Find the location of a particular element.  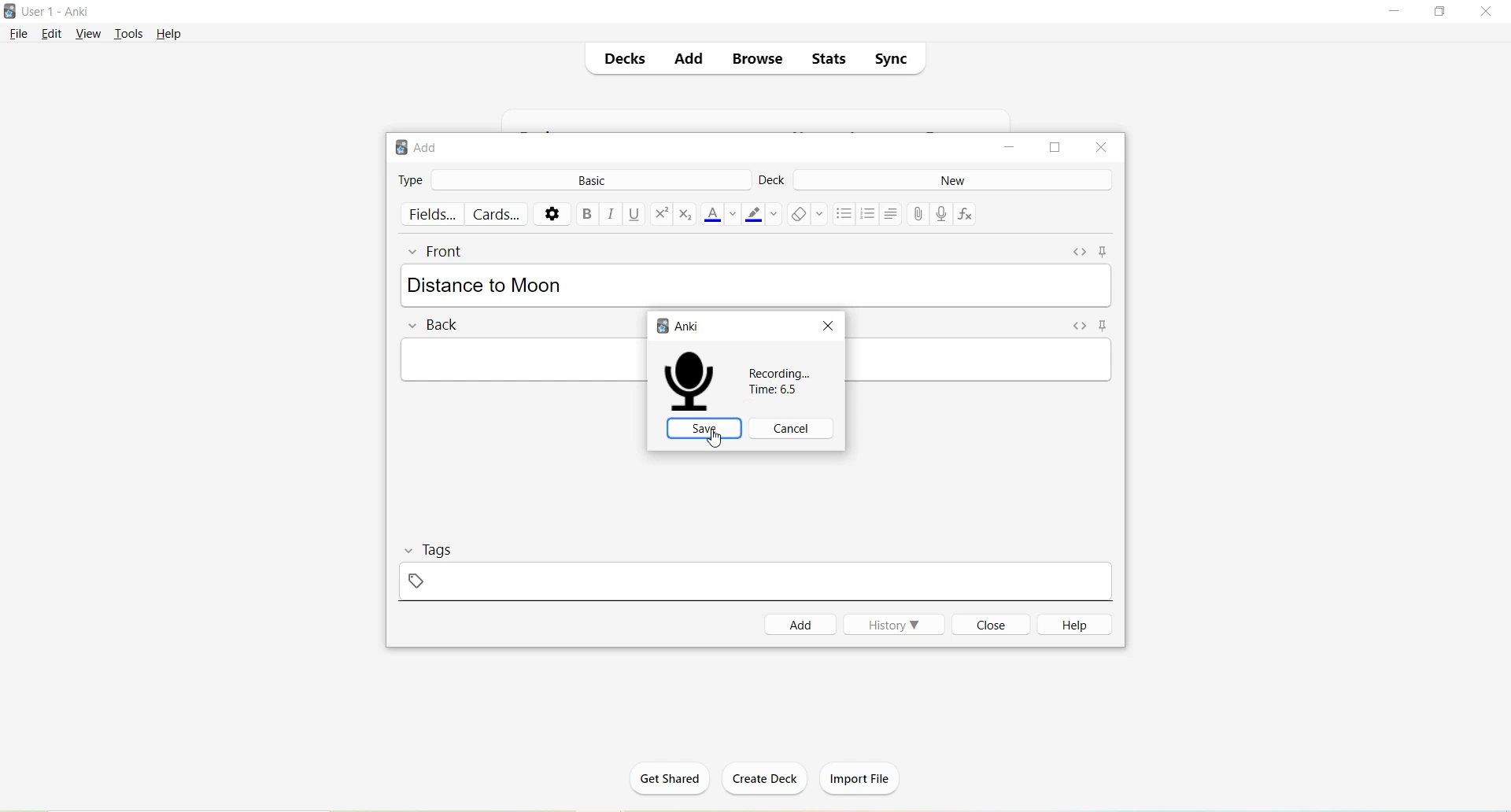

Toggle HTML Editor is located at coordinates (1080, 253).